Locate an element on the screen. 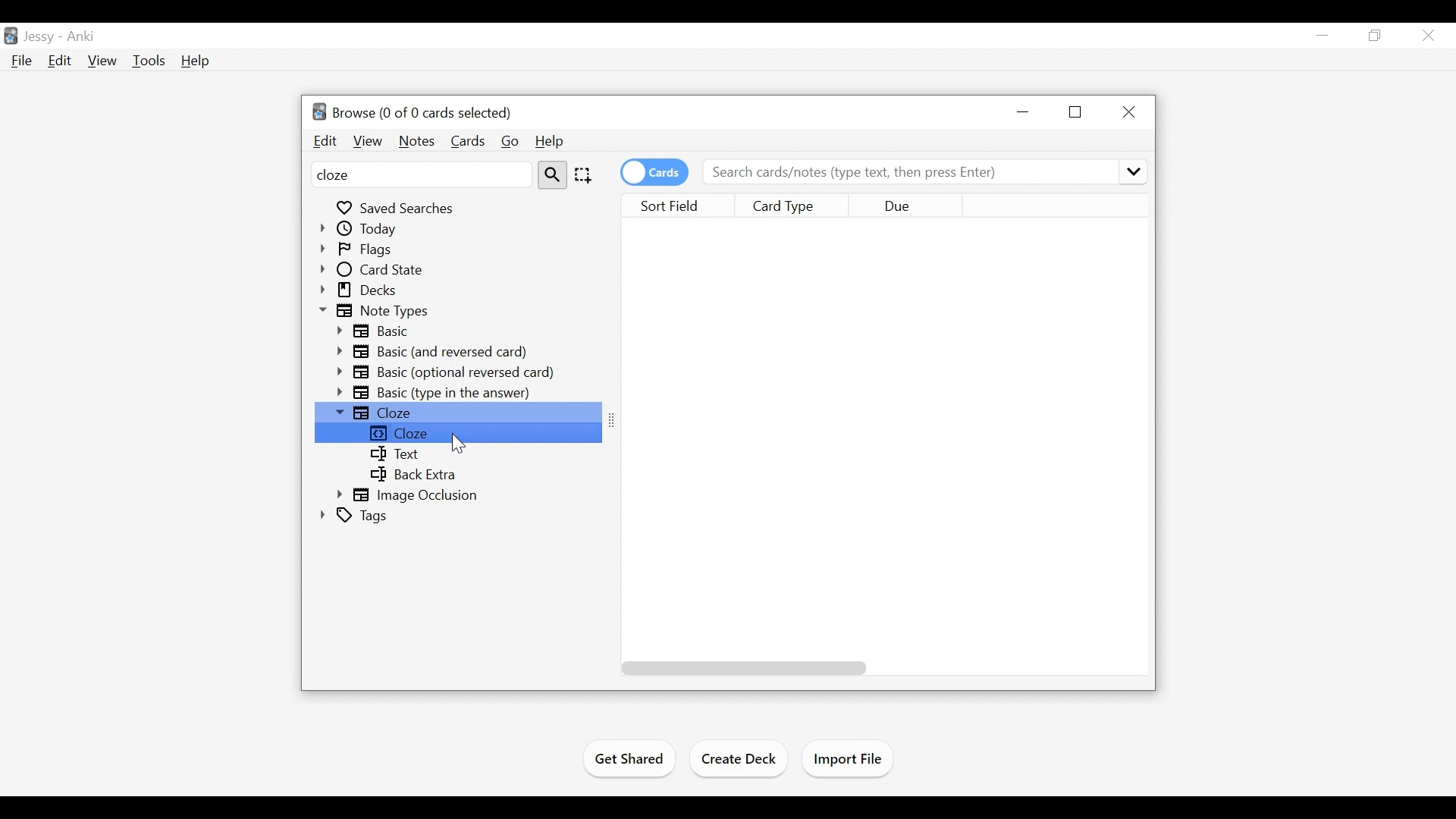 Image resolution: width=1456 pixels, height=819 pixels. Restore is located at coordinates (1376, 36).